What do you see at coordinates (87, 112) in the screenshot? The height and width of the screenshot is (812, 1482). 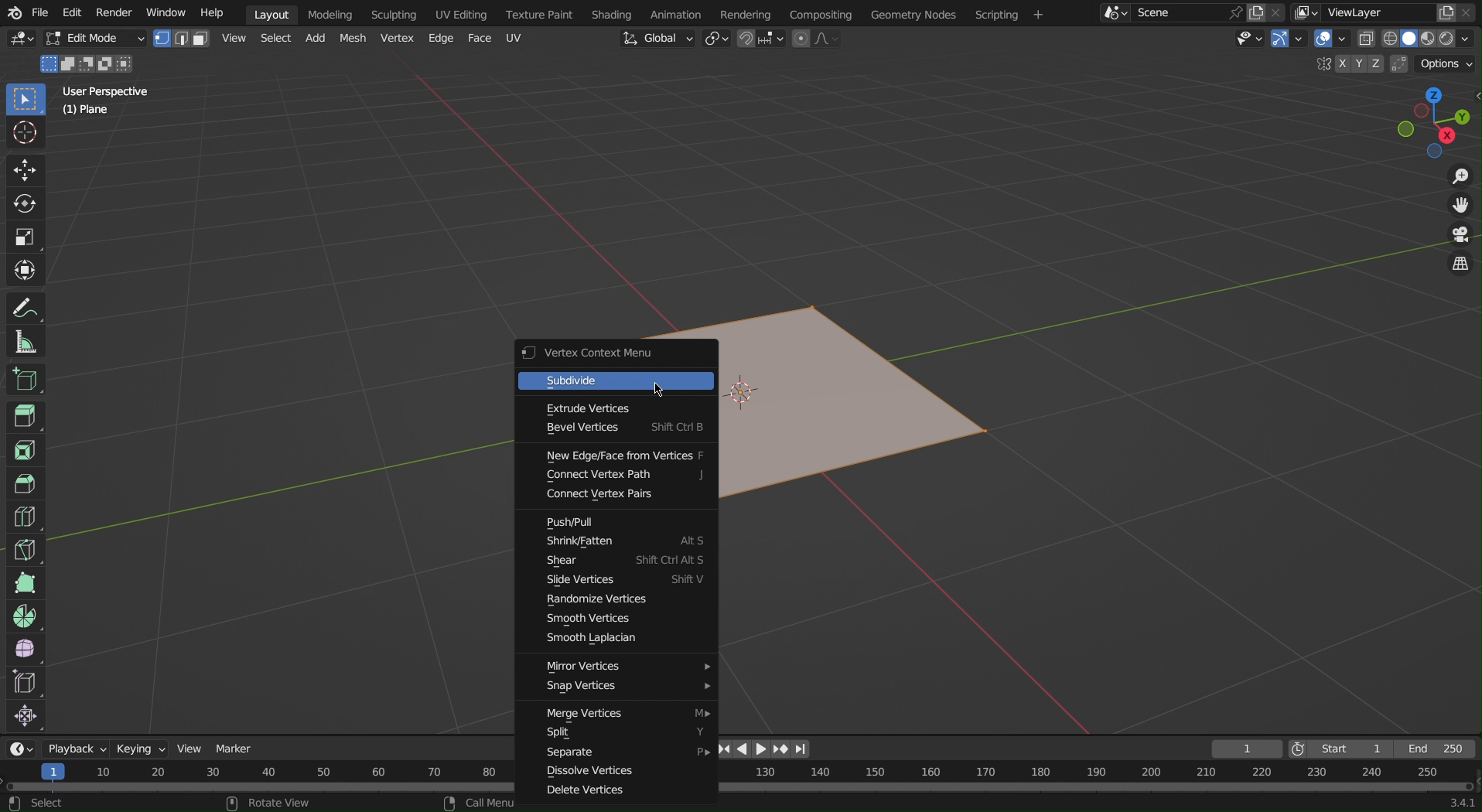 I see `Plane` at bounding box center [87, 112].